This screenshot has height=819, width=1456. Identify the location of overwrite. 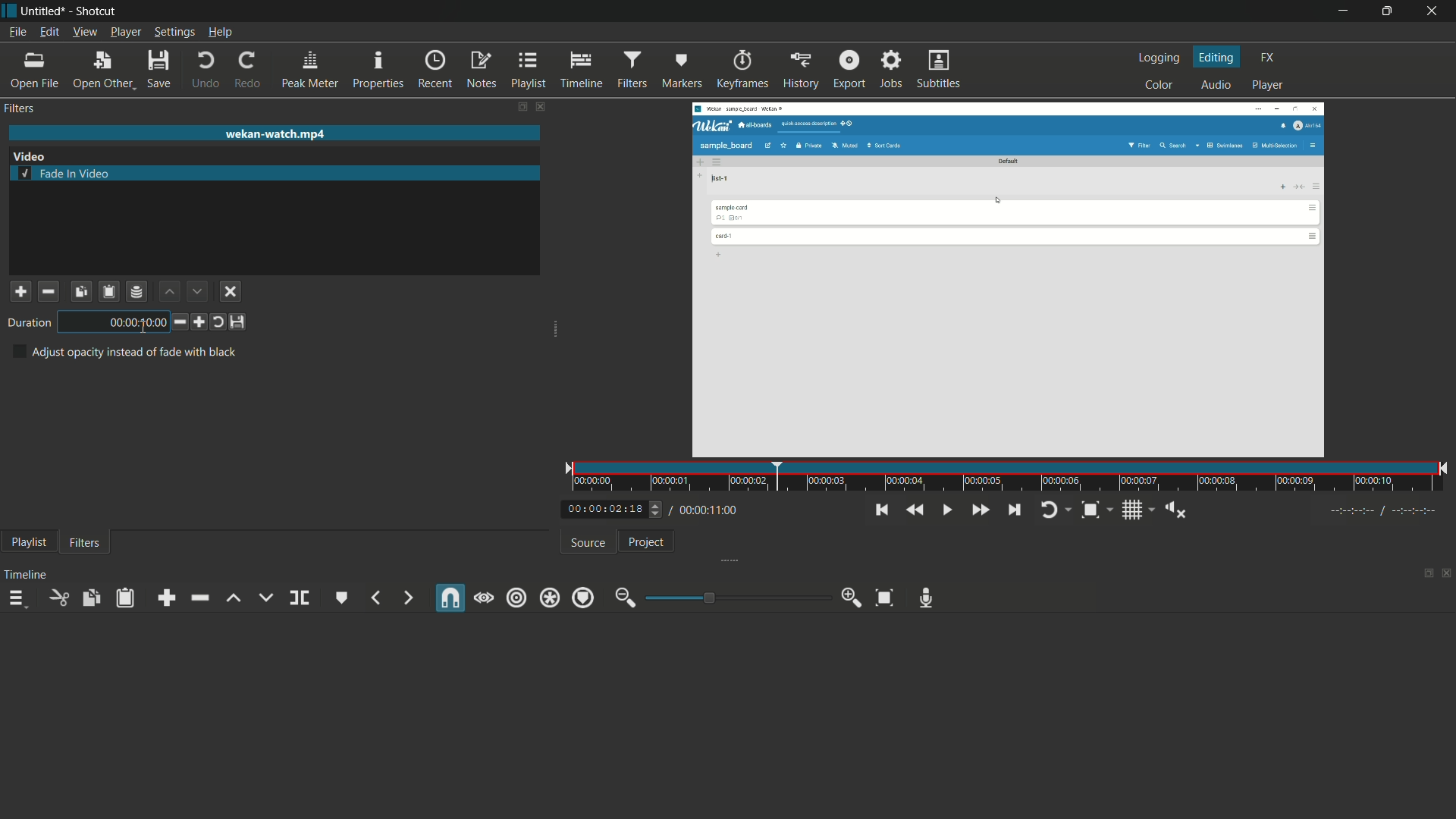
(265, 597).